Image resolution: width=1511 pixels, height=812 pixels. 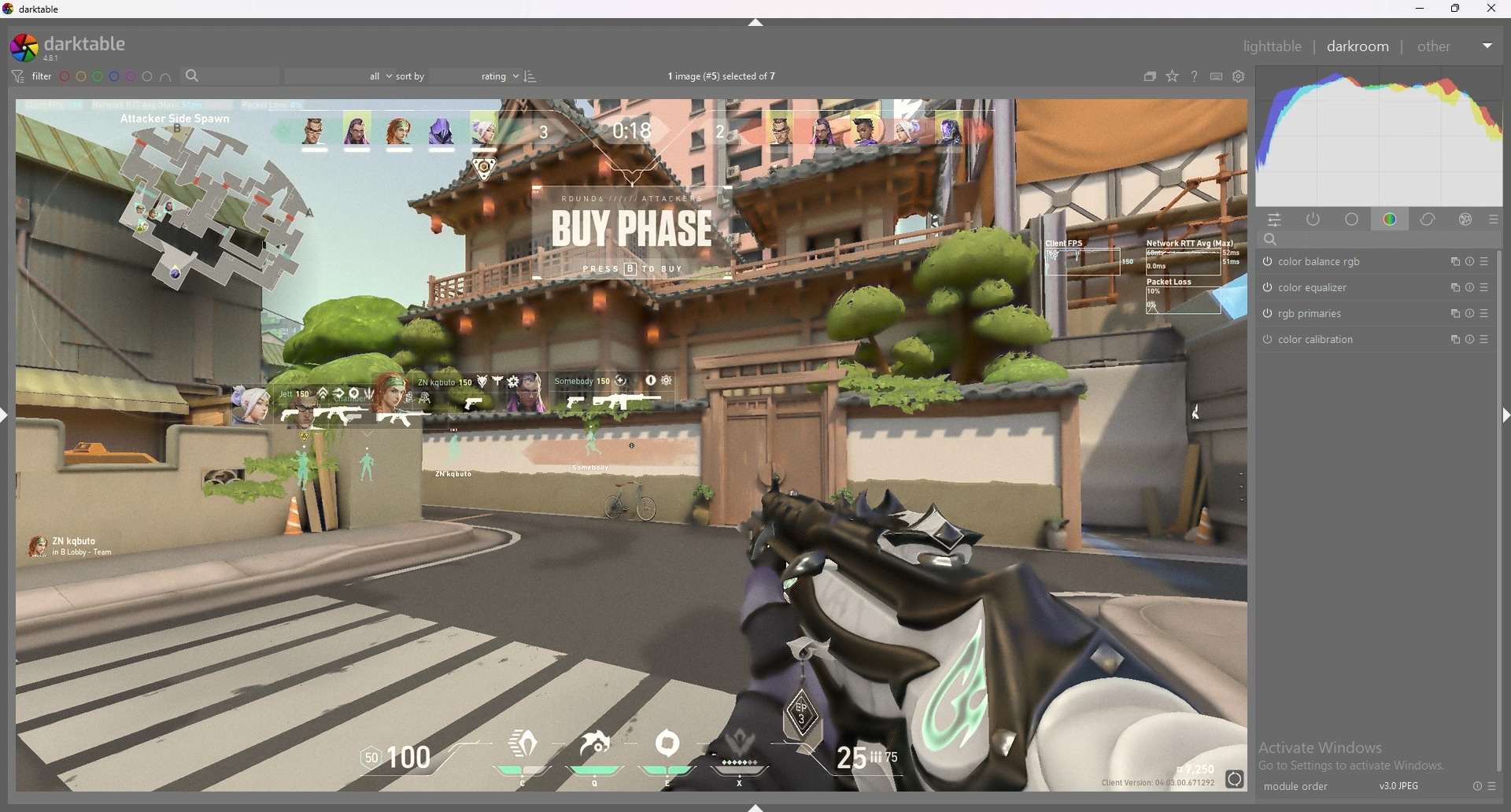 I want to click on photo, so click(x=630, y=443).